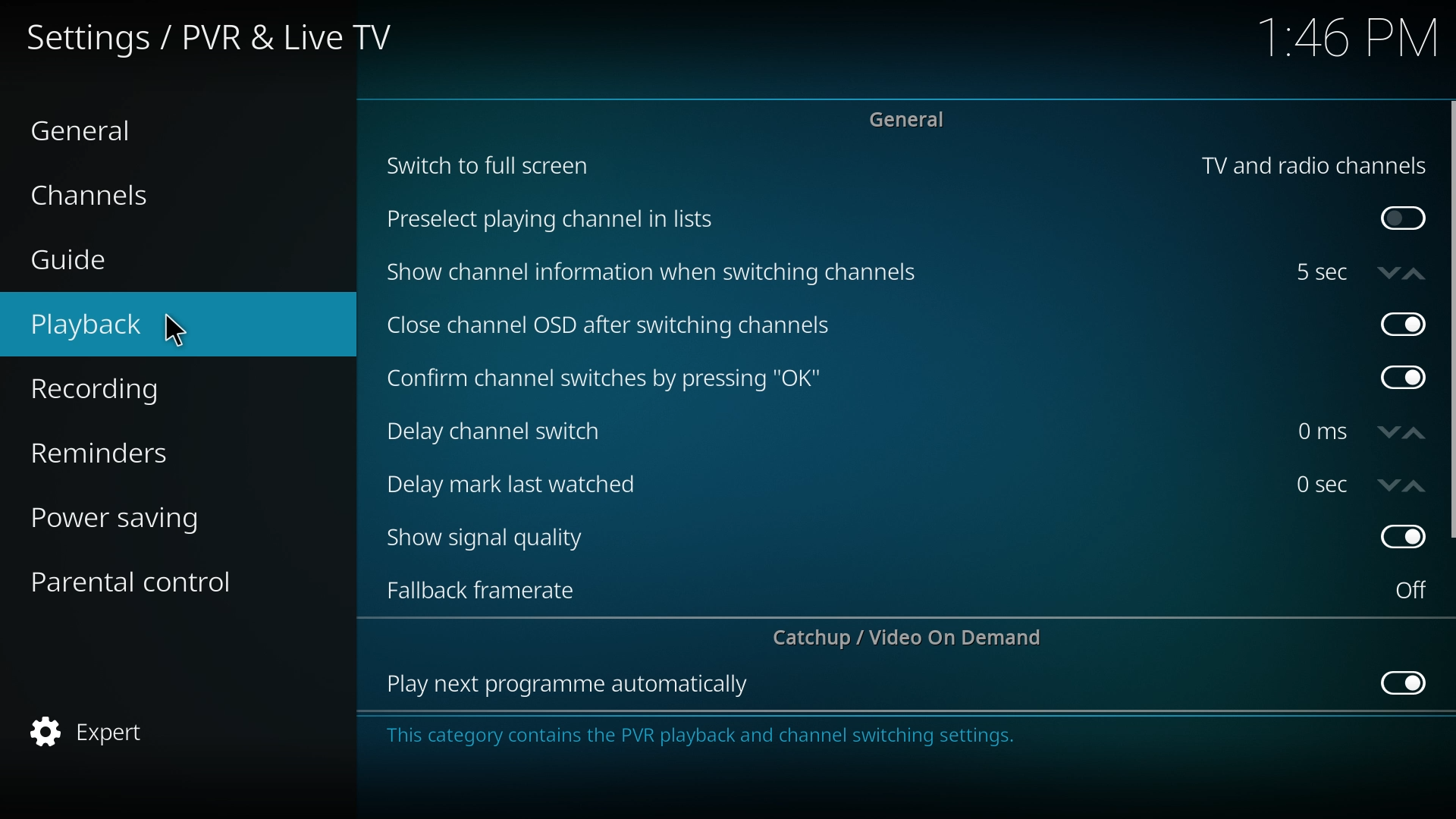 The width and height of the screenshot is (1456, 819). What do you see at coordinates (1389, 485) in the screenshot?
I see `decrease time` at bounding box center [1389, 485].